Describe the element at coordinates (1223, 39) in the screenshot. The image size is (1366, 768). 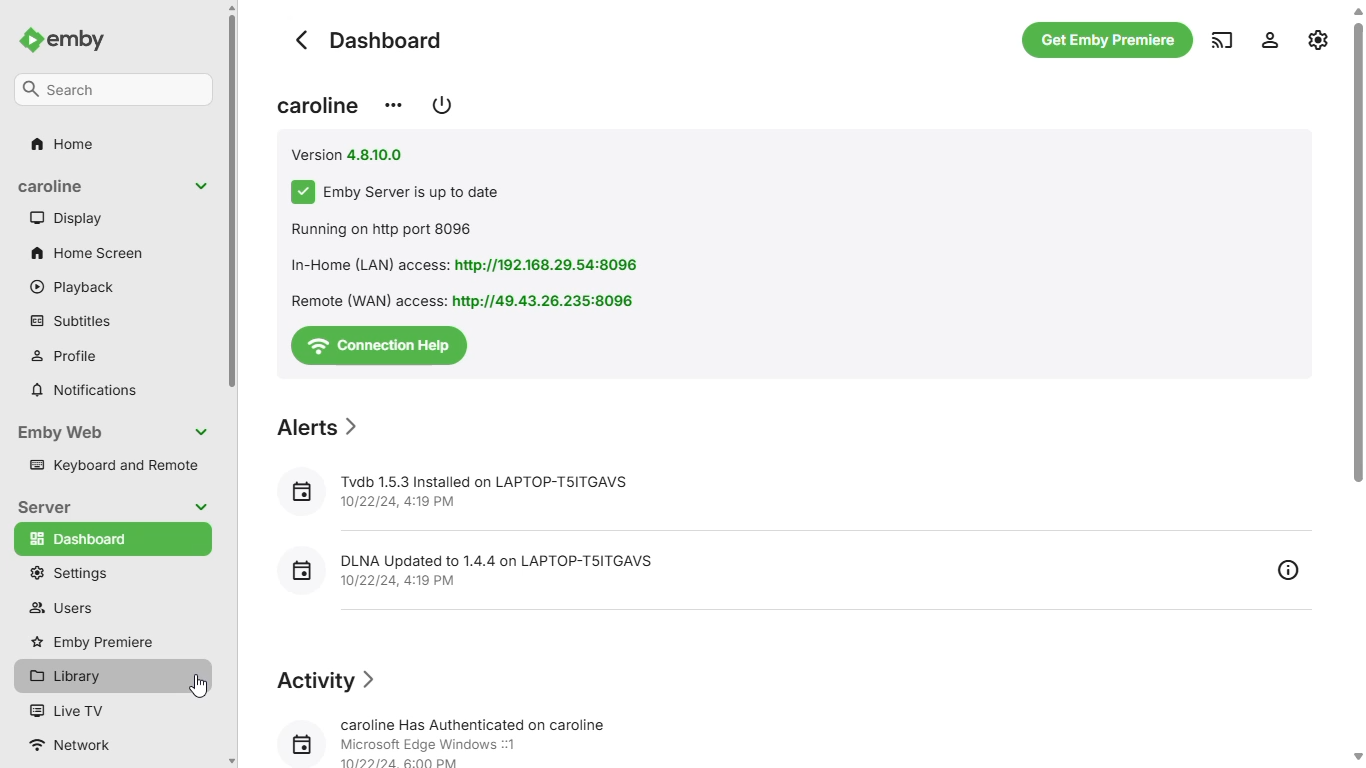
I see `play on another device` at that location.